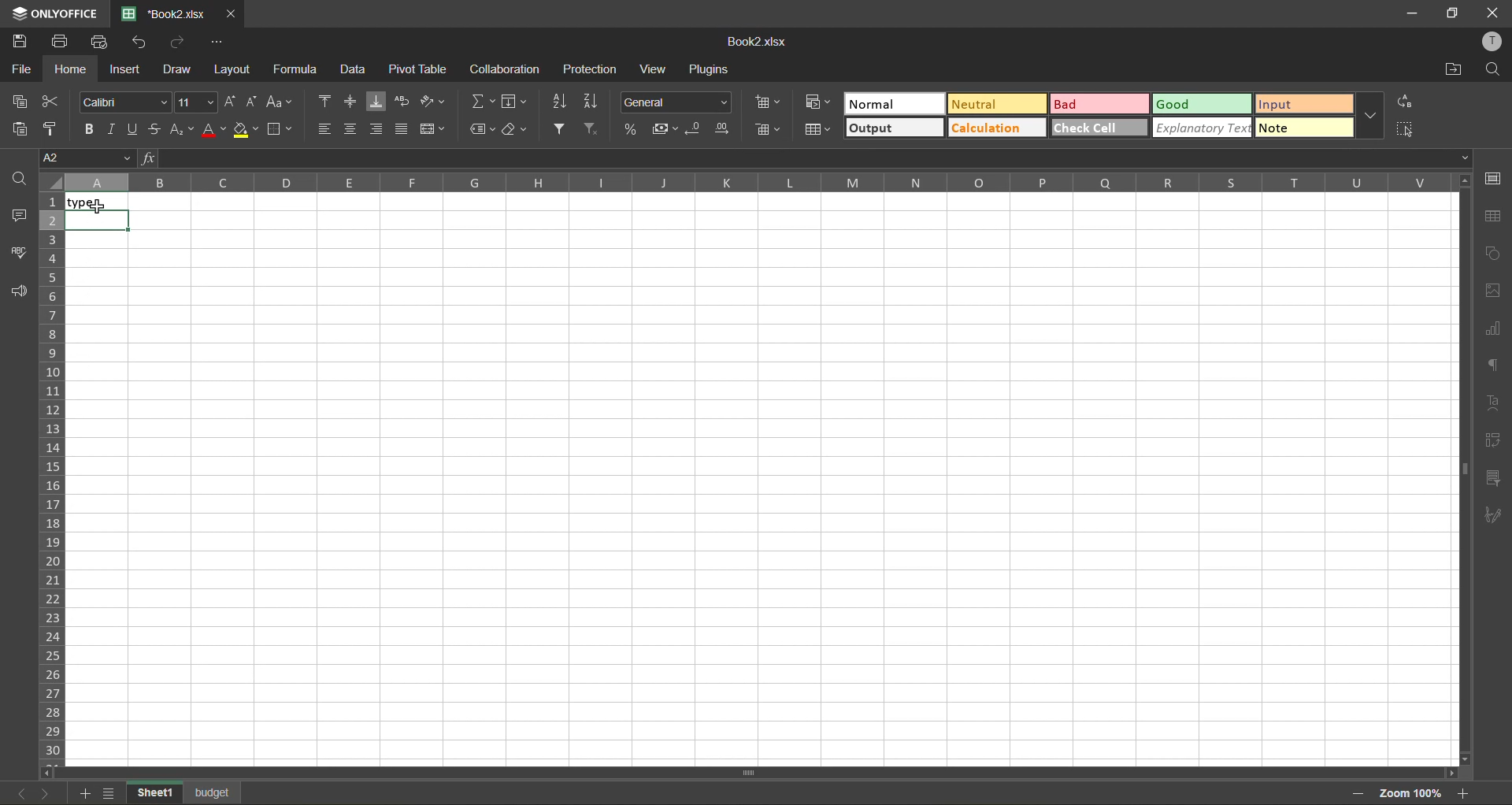 The image size is (1512, 805). I want to click on check cell, so click(1100, 129).